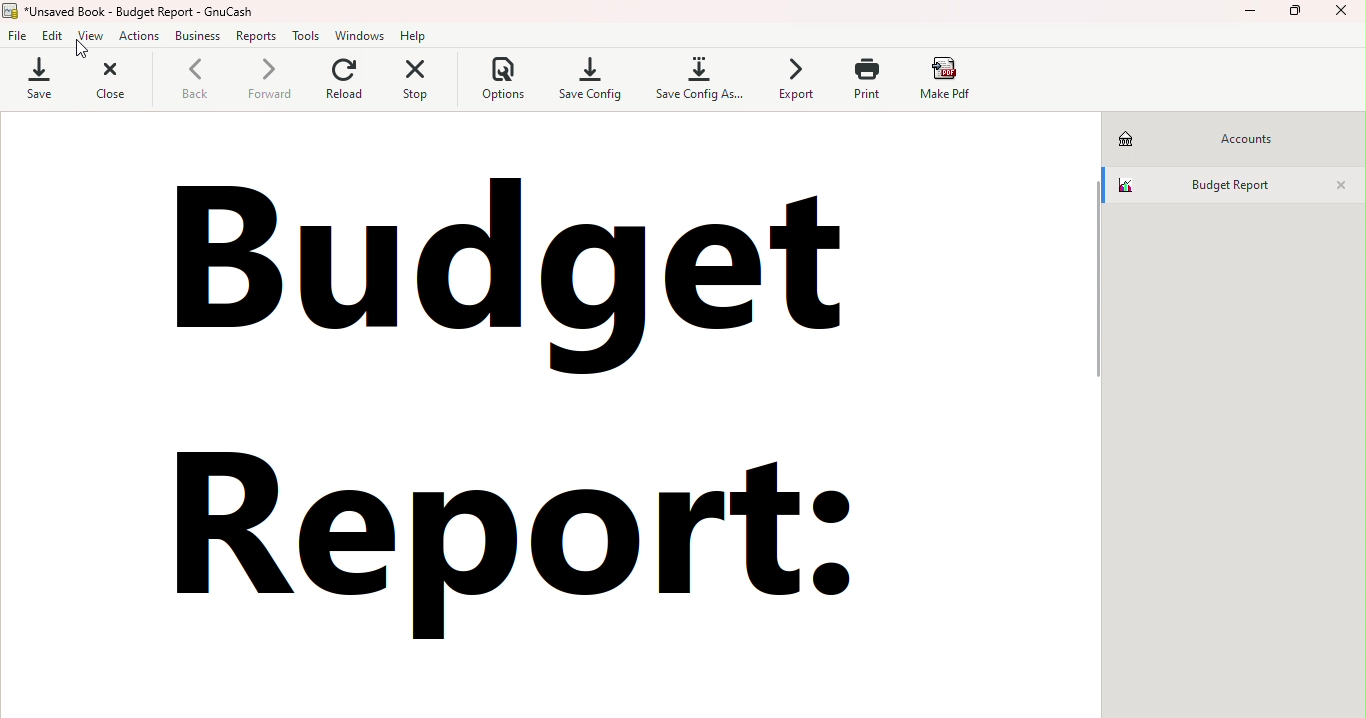 Image resolution: width=1366 pixels, height=718 pixels. What do you see at coordinates (790, 78) in the screenshot?
I see `Export` at bounding box center [790, 78].